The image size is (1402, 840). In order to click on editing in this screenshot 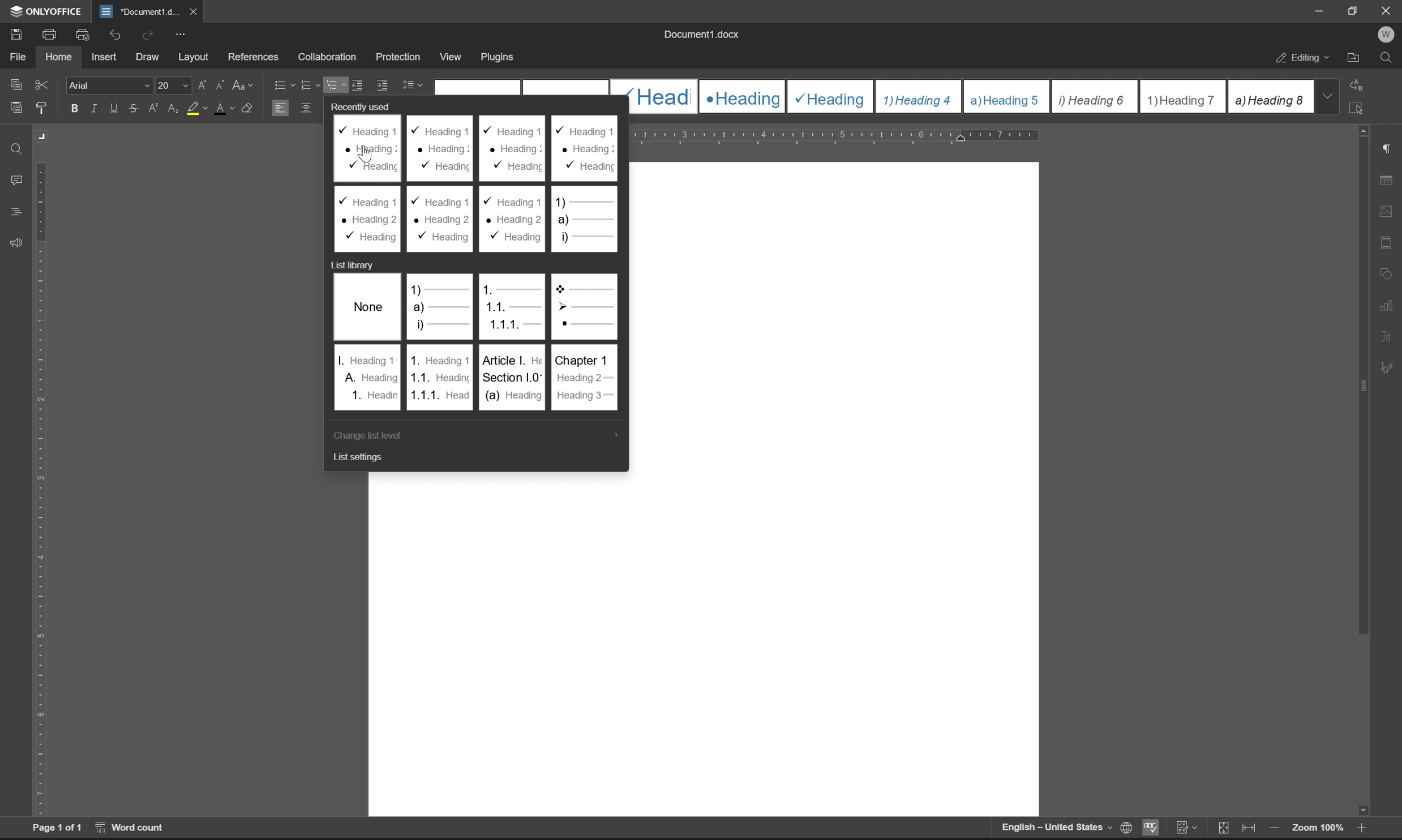, I will do `click(1304, 59)`.